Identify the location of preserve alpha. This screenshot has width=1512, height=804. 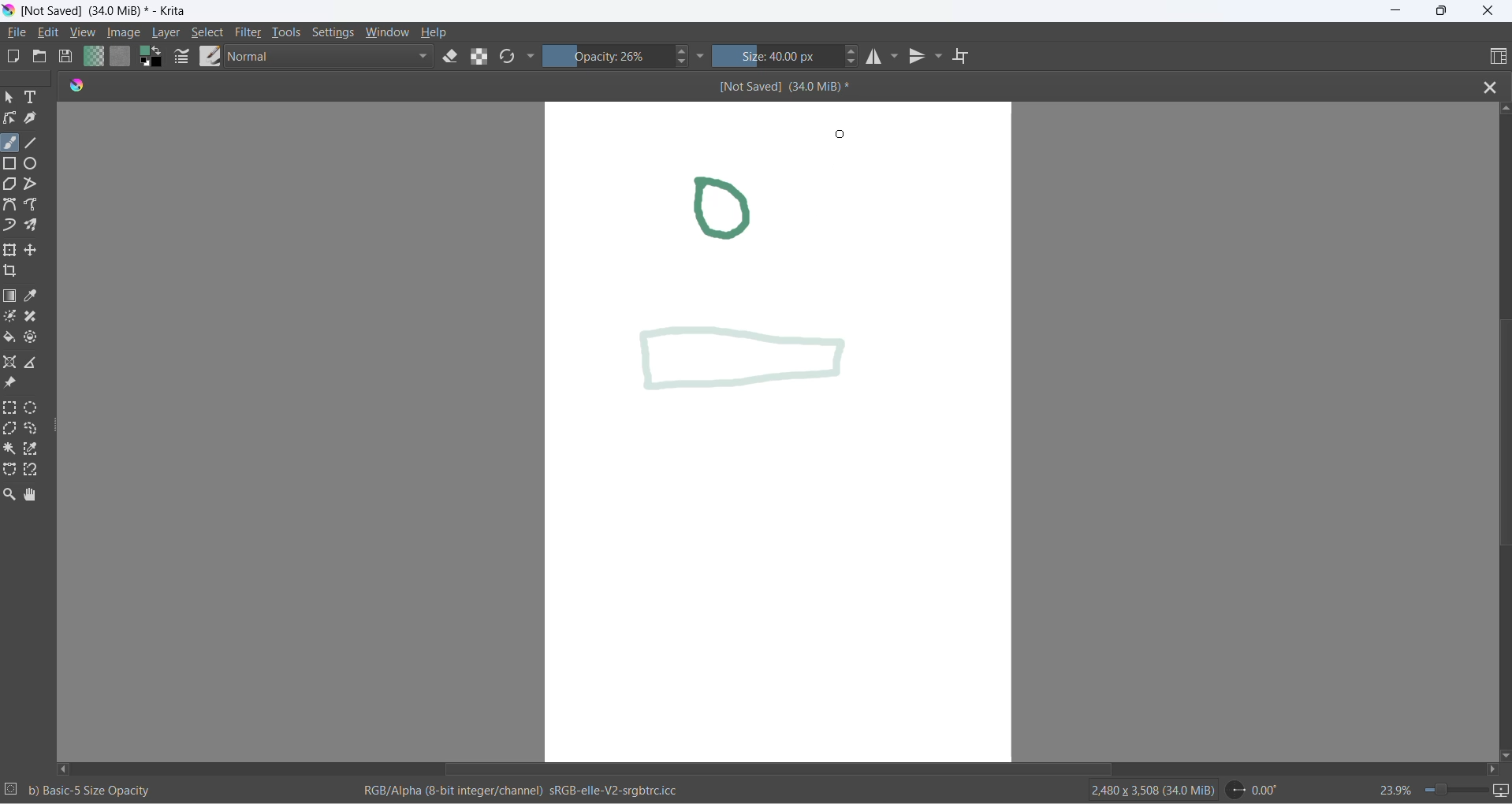
(479, 56).